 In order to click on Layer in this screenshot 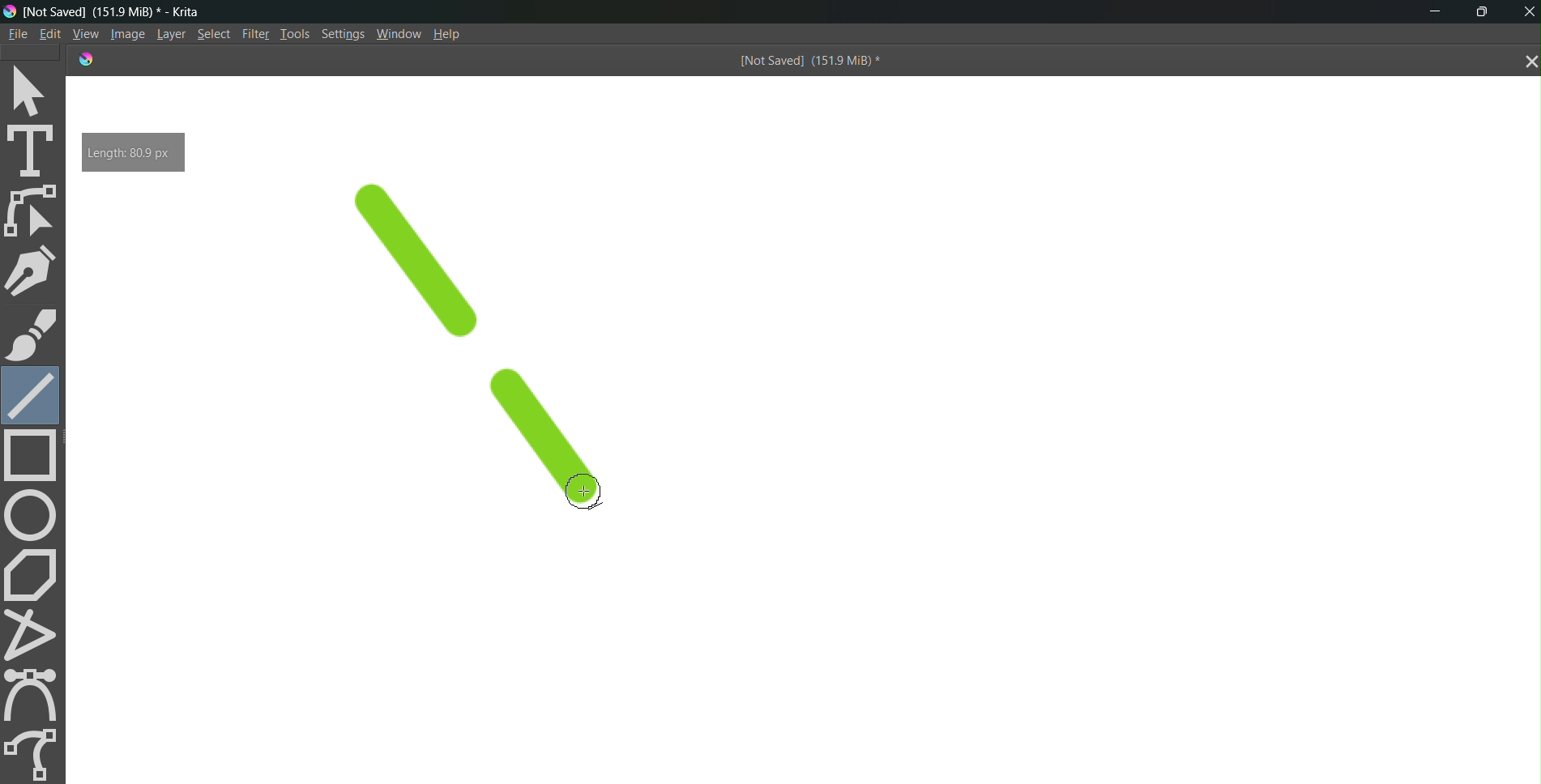, I will do `click(168, 35)`.